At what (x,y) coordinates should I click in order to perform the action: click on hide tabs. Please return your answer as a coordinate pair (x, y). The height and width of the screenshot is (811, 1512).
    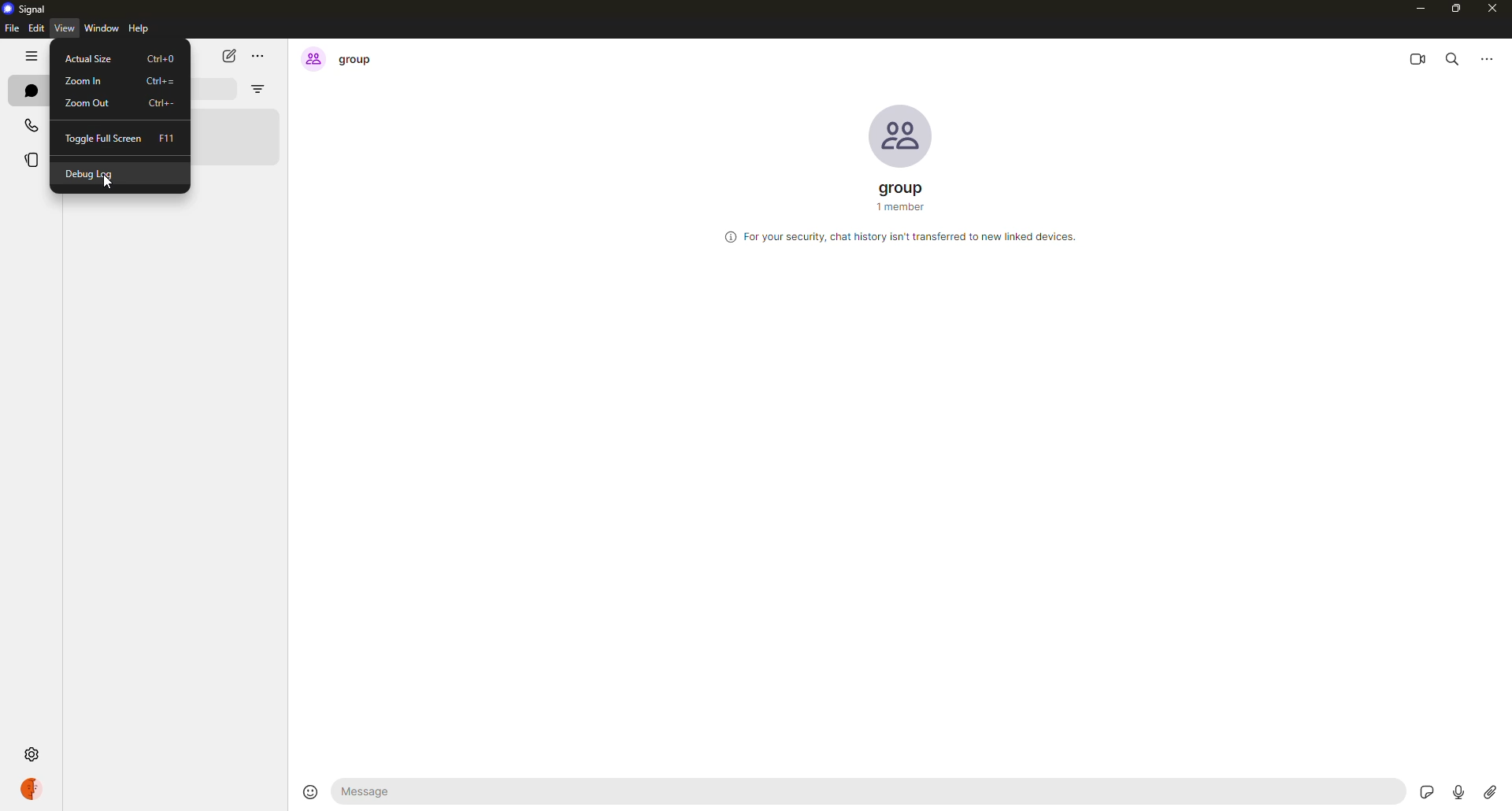
    Looking at the image, I should click on (33, 57).